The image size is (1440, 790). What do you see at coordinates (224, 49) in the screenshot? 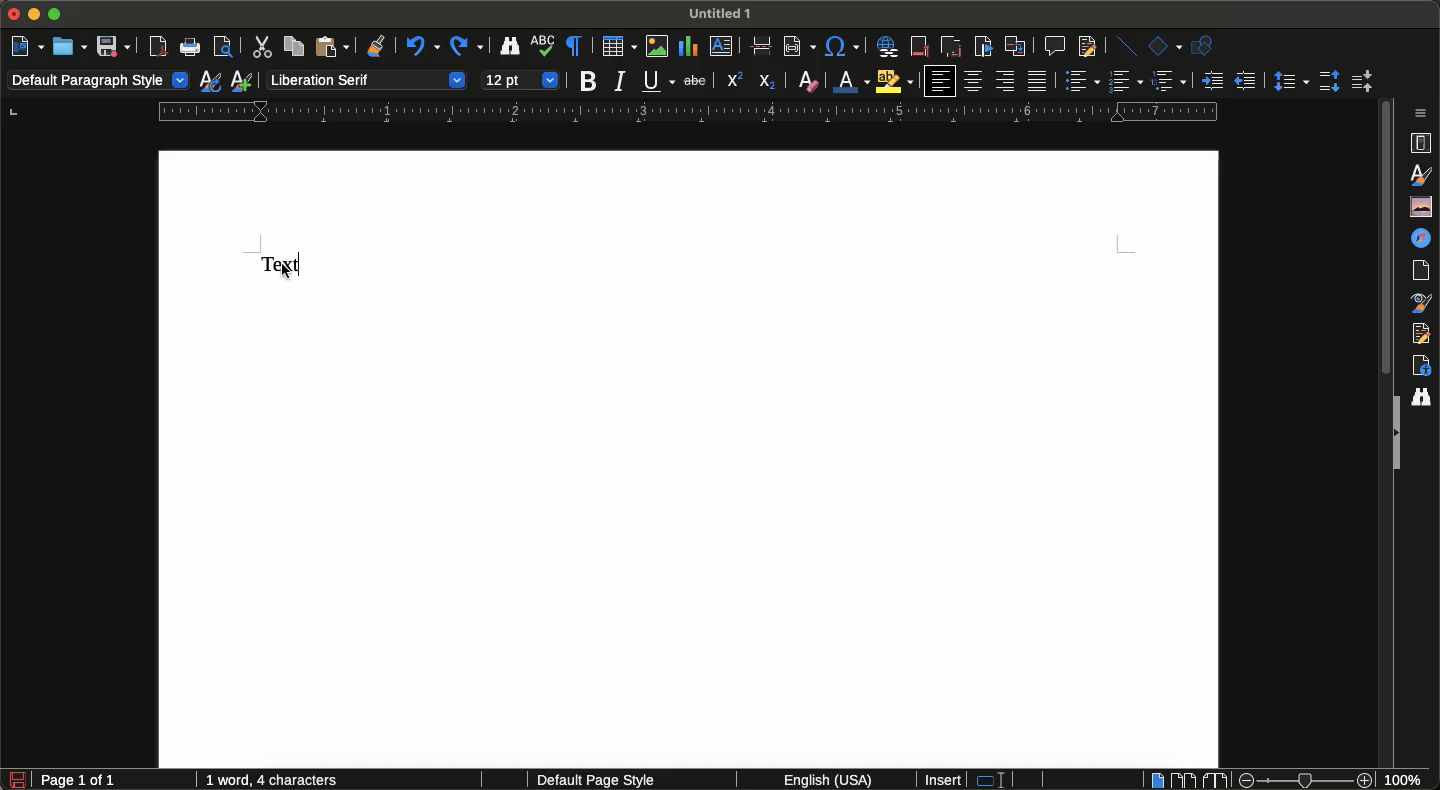
I see `Toggle print preview` at bounding box center [224, 49].